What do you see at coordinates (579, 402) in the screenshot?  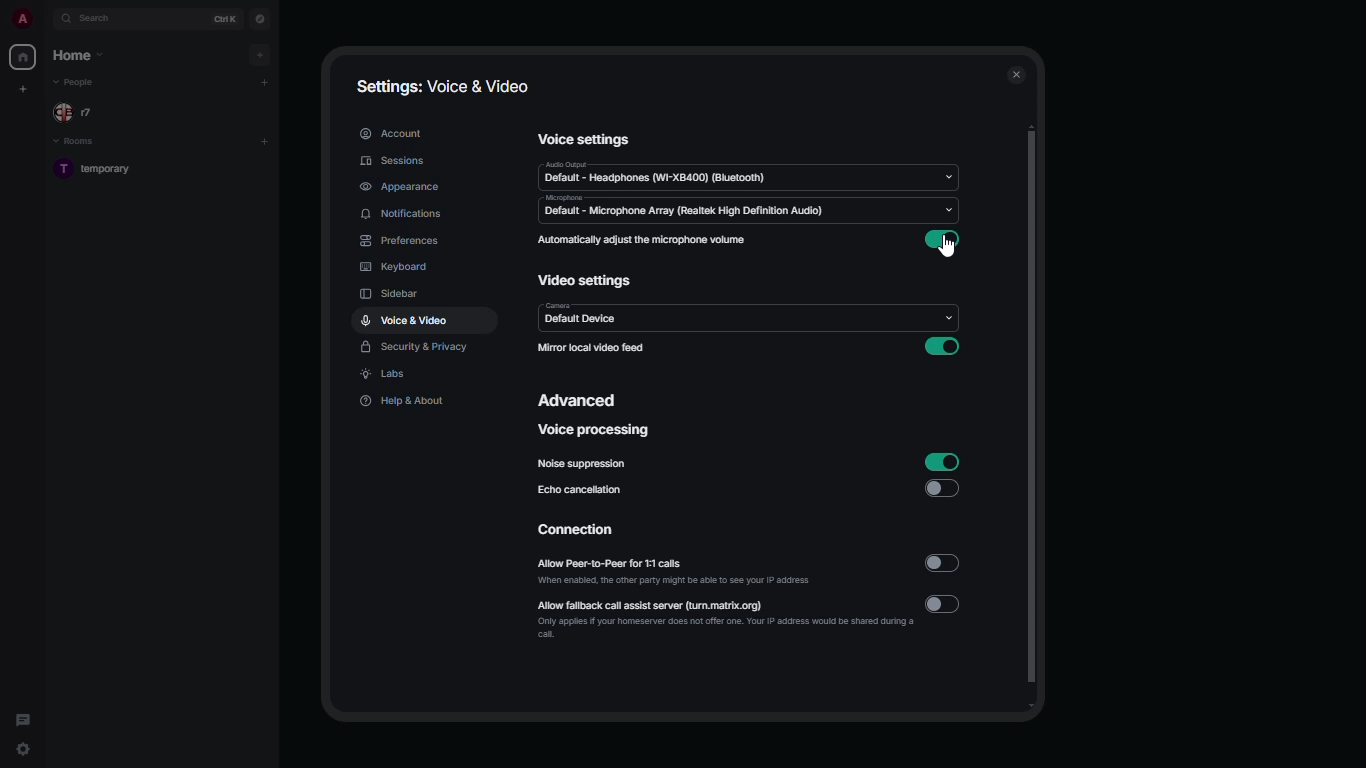 I see `advanced` at bounding box center [579, 402].